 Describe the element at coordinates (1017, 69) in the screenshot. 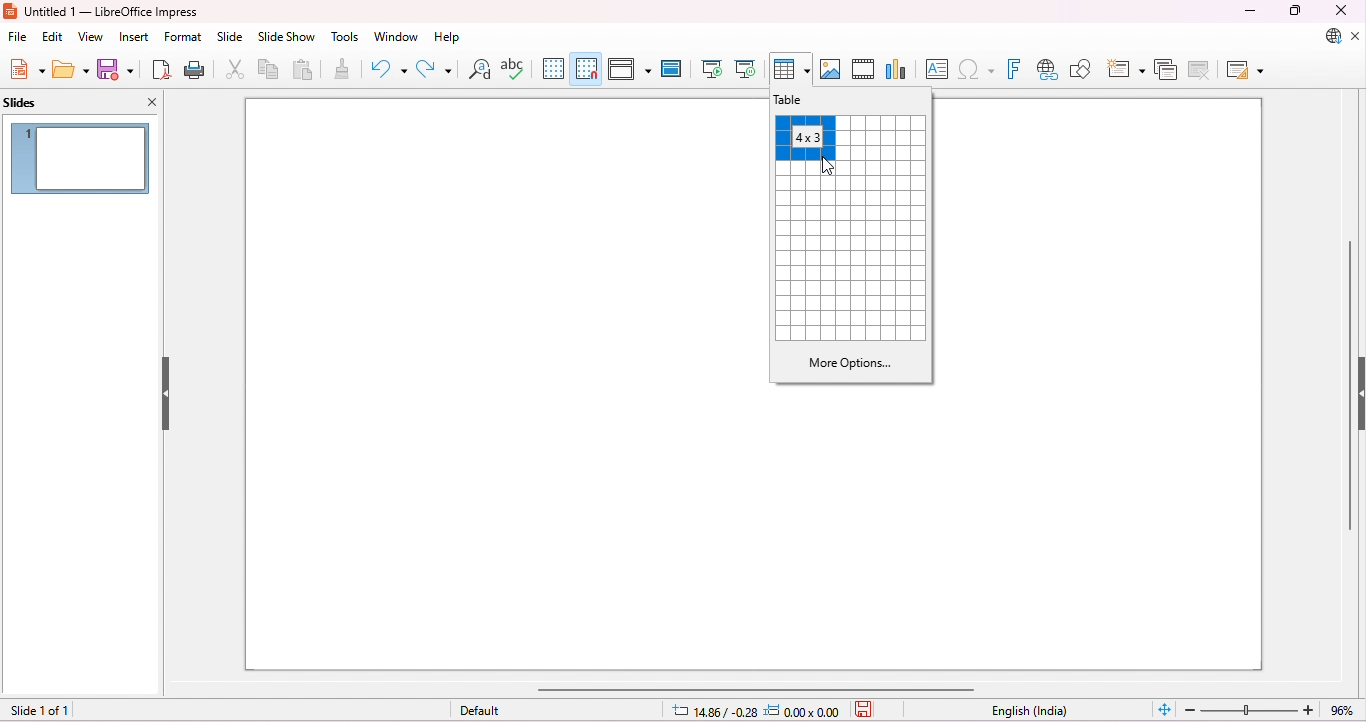

I see `insert fontwork text` at that location.